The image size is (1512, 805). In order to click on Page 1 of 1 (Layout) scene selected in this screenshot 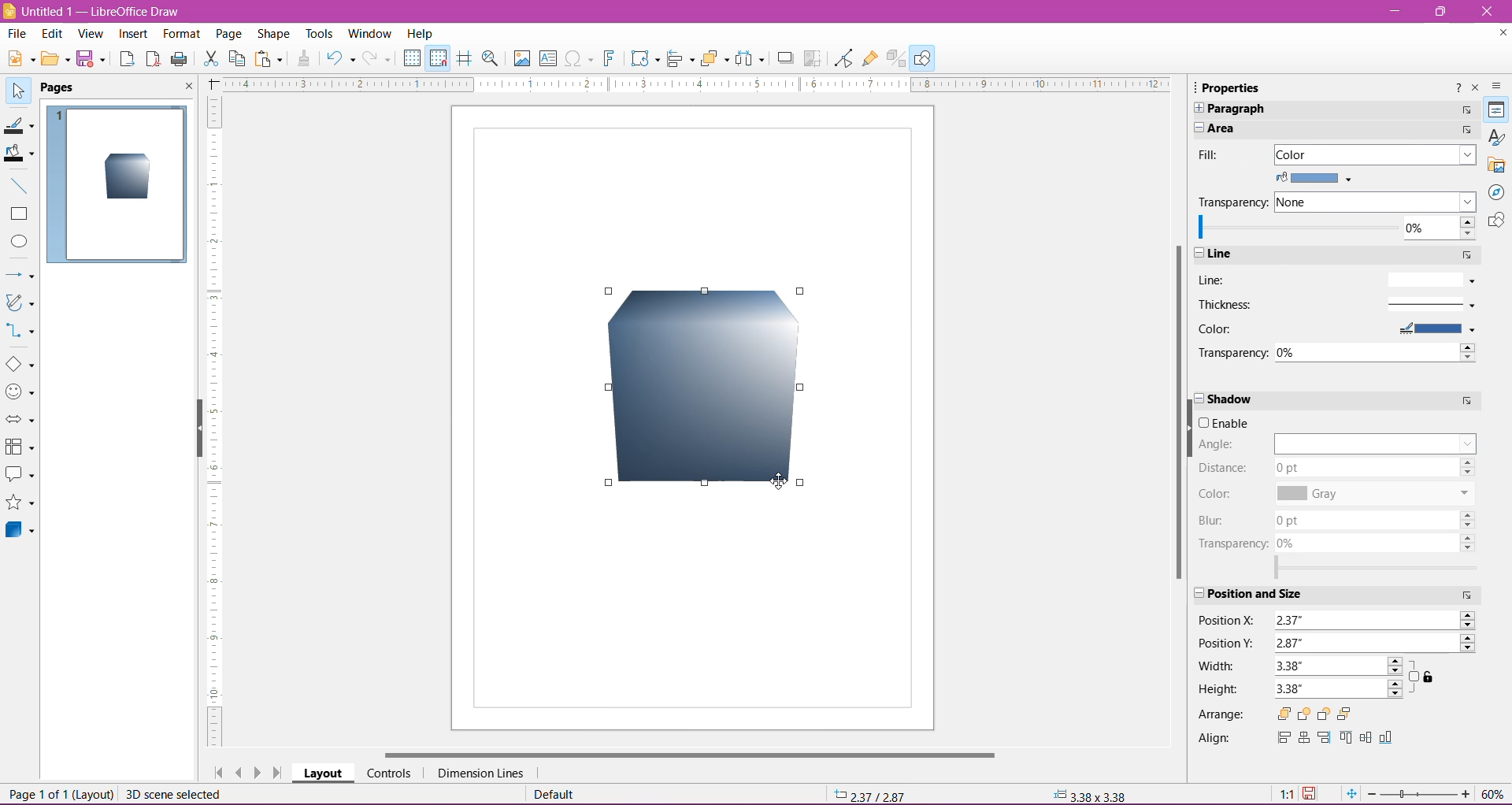, I will do `click(124, 794)`.